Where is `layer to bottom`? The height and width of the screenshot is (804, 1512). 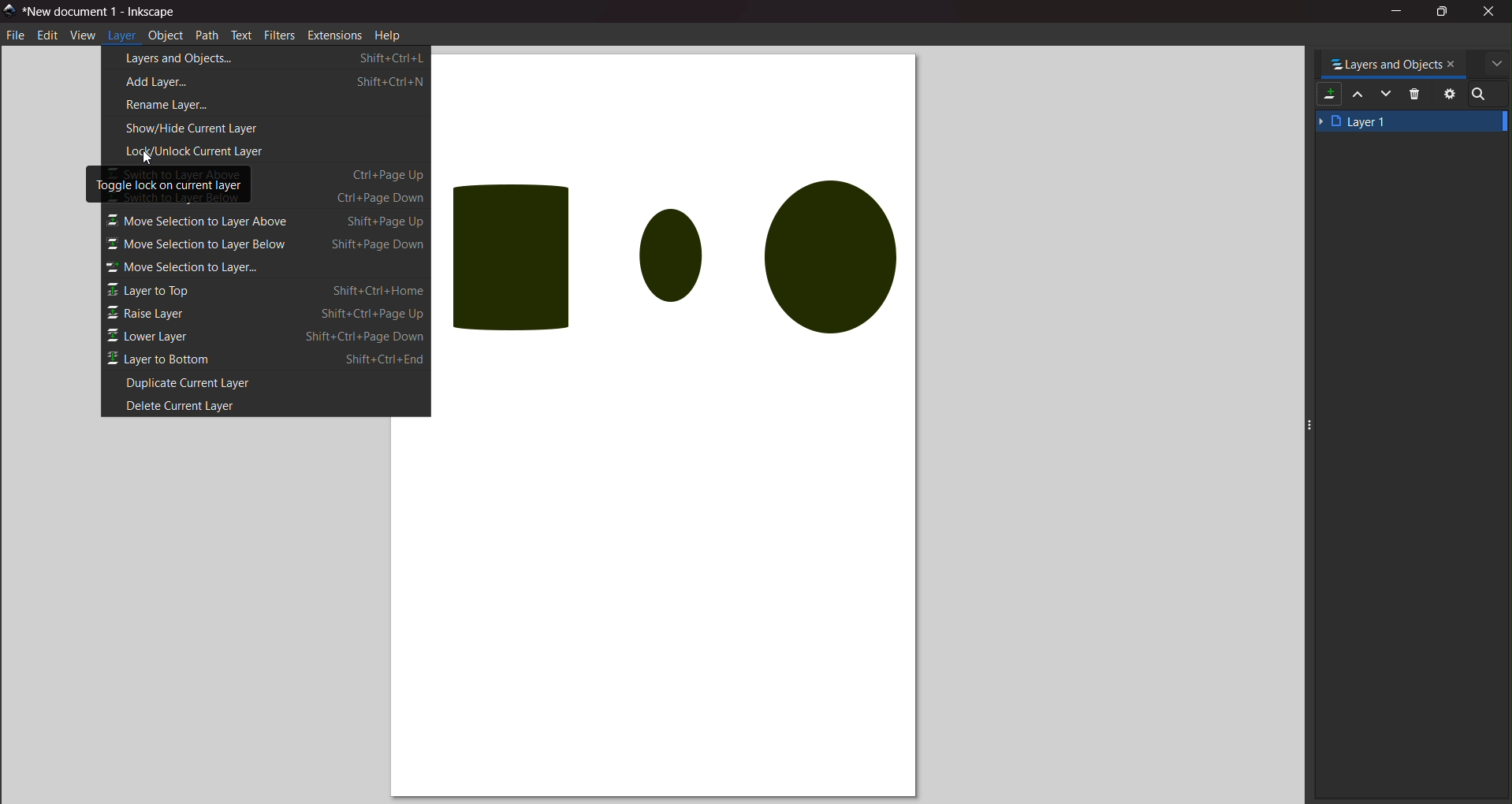 layer to bottom is located at coordinates (270, 359).